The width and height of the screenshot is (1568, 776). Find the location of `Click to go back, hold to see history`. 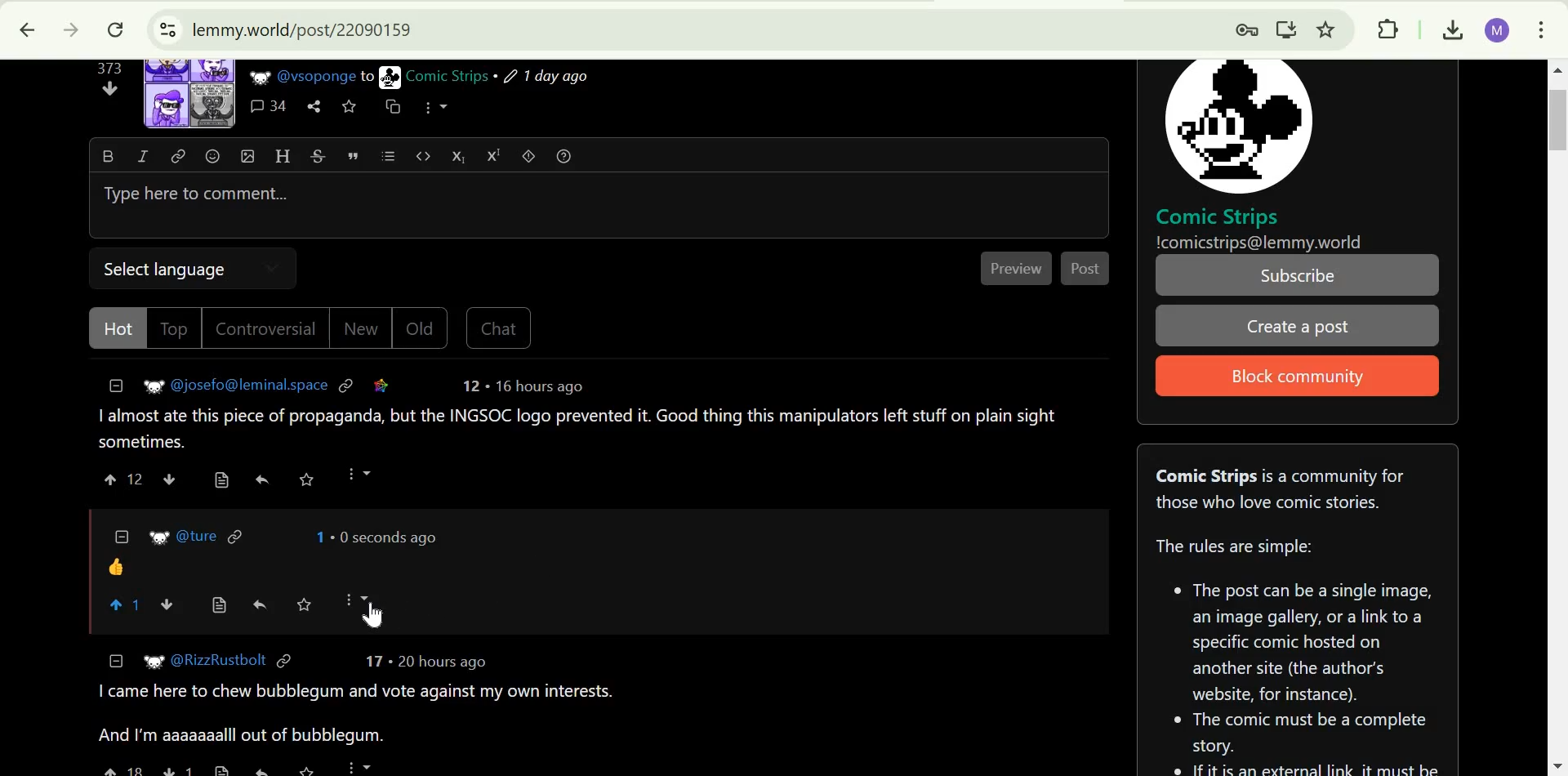

Click to go back, hold to see history is located at coordinates (27, 30).